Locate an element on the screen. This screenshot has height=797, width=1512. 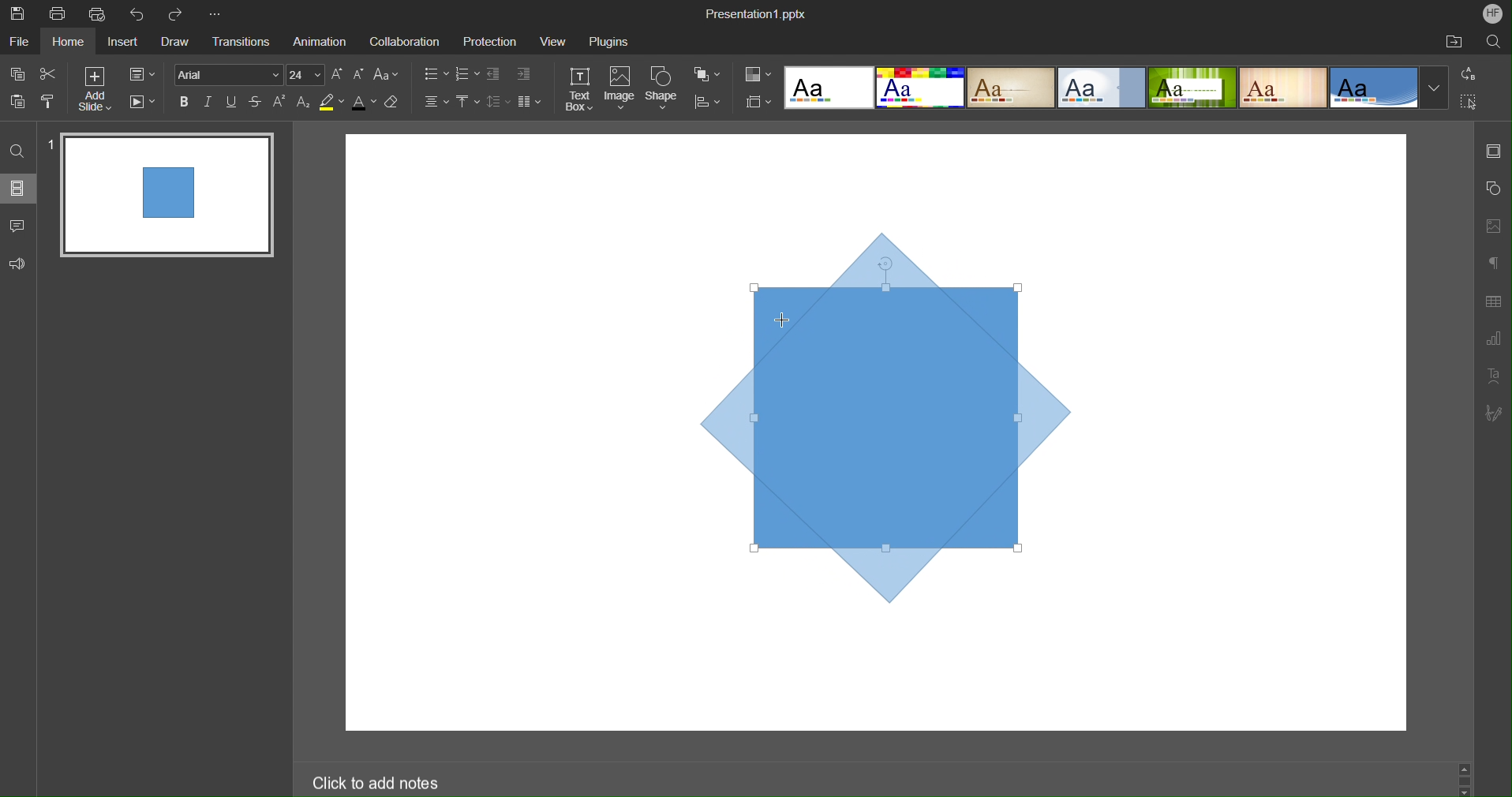
Copy is located at coordinates (17, 74).